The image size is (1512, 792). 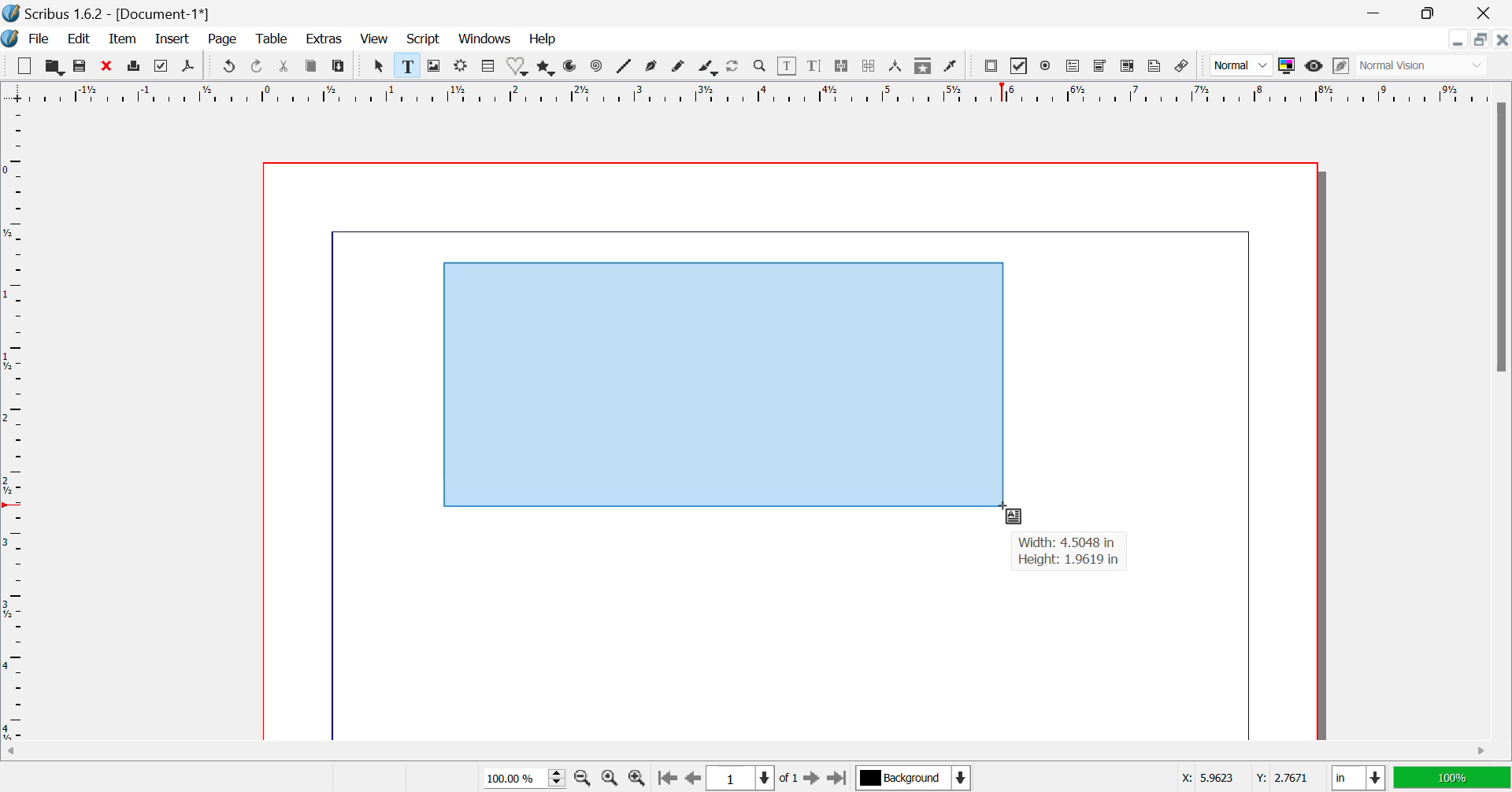 What do you see at coordinates (1314, 68) in the screenshot?
I see `Preview Mode` at bounding box center [1314, 68].